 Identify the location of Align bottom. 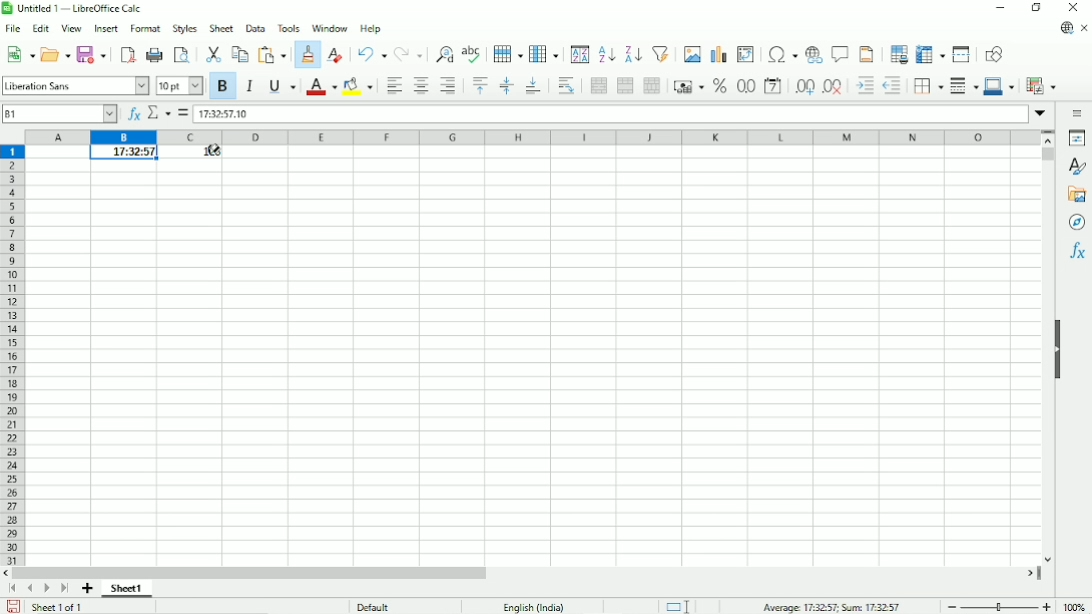
(531, 87).